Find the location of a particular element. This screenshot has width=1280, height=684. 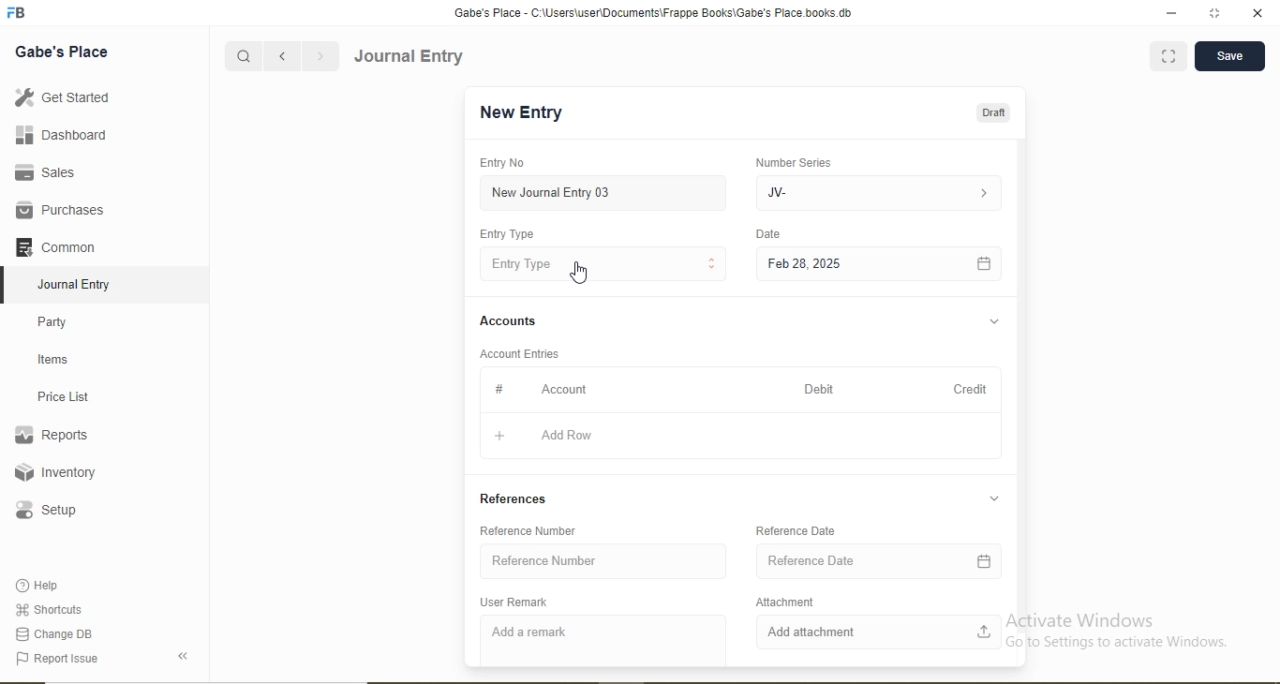

Logo is located at coordinates (17, 13).